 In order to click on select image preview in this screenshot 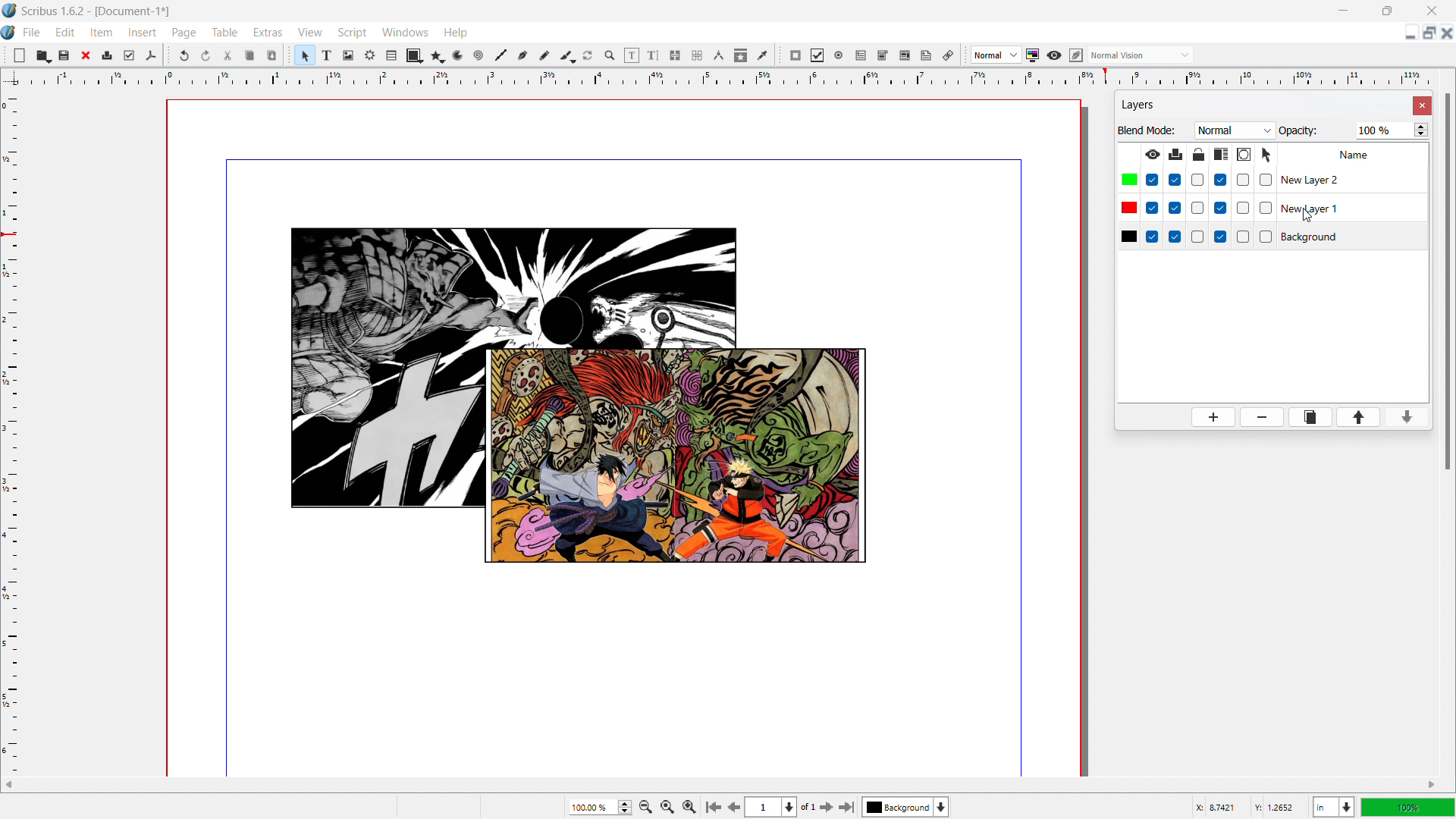, I will do `click(996, 55)`.